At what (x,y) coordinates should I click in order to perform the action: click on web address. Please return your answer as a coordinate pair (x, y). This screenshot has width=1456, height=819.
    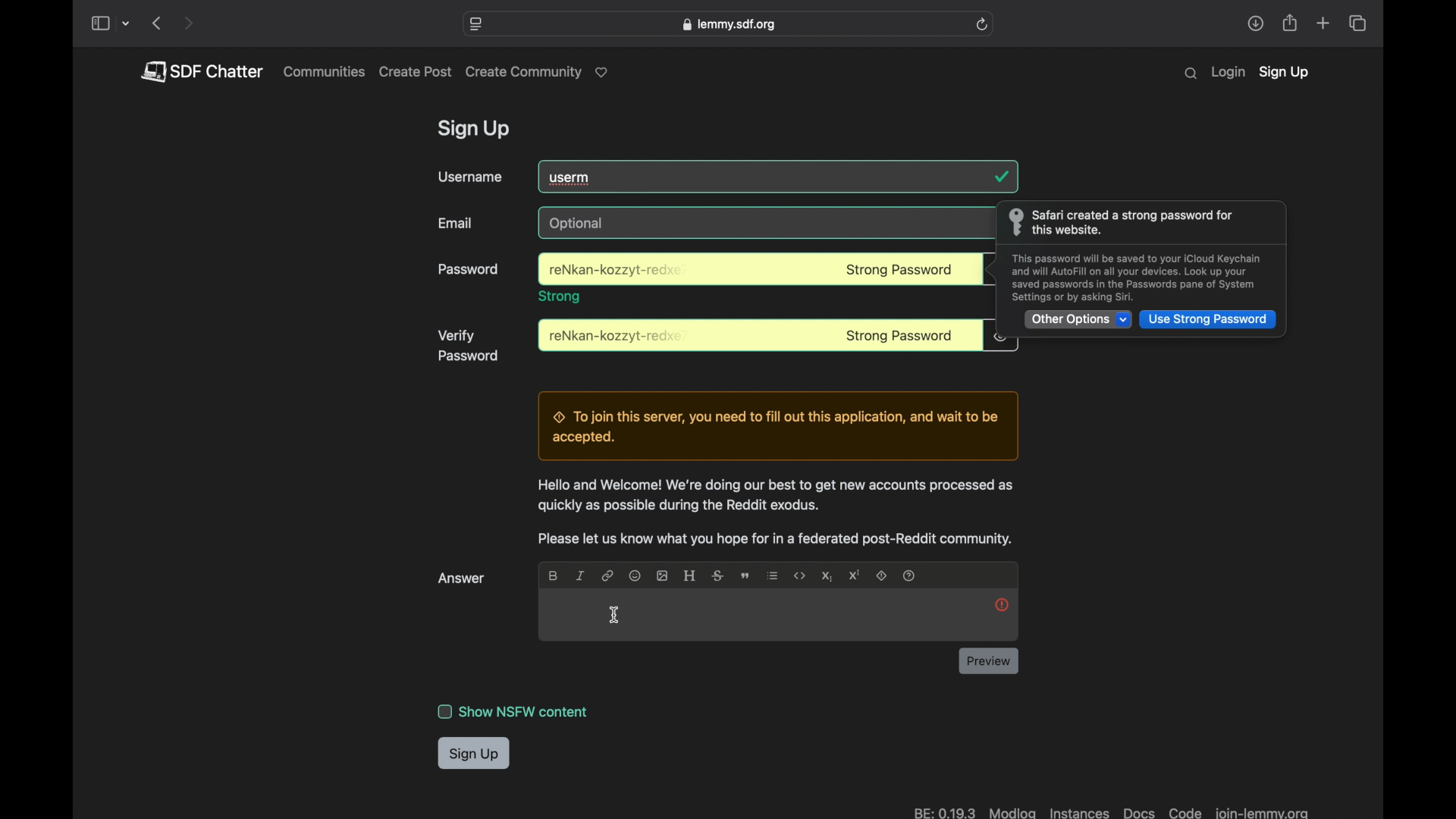
    Looking at the image, I should click on (728, 24).